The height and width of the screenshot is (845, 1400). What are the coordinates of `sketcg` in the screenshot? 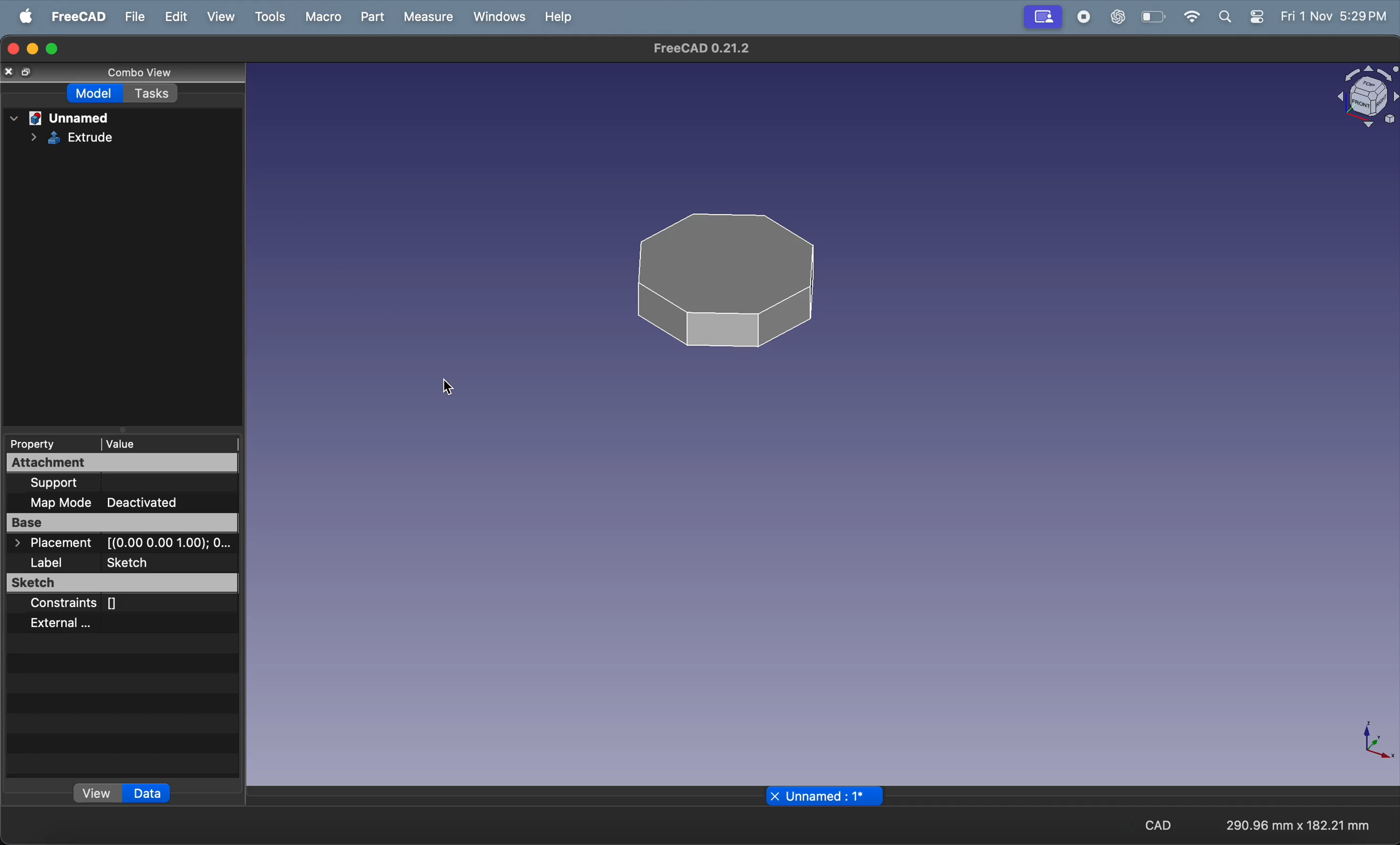 It's located at (139, 563).